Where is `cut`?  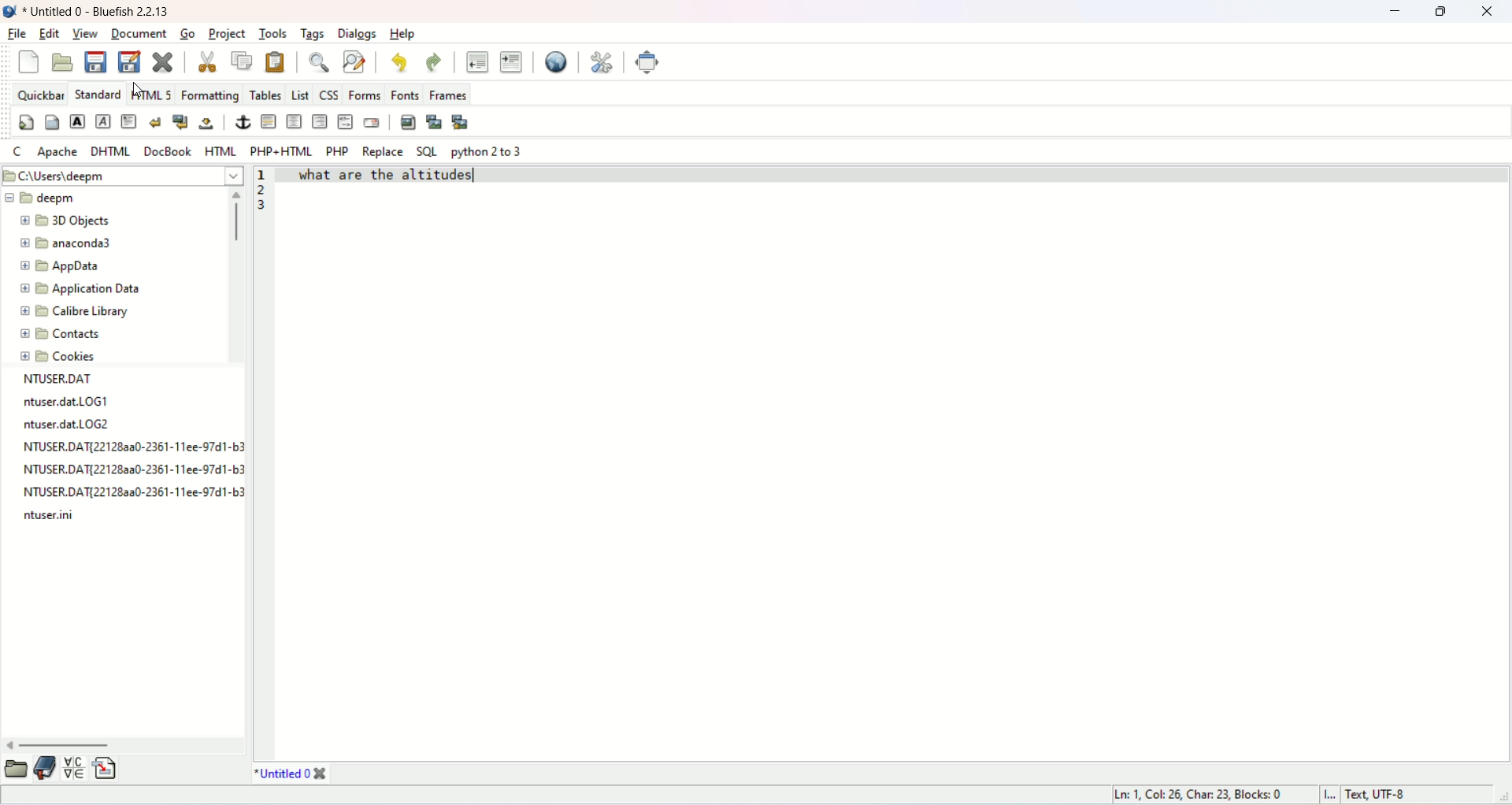 cut is located at coordinates (209, 62).